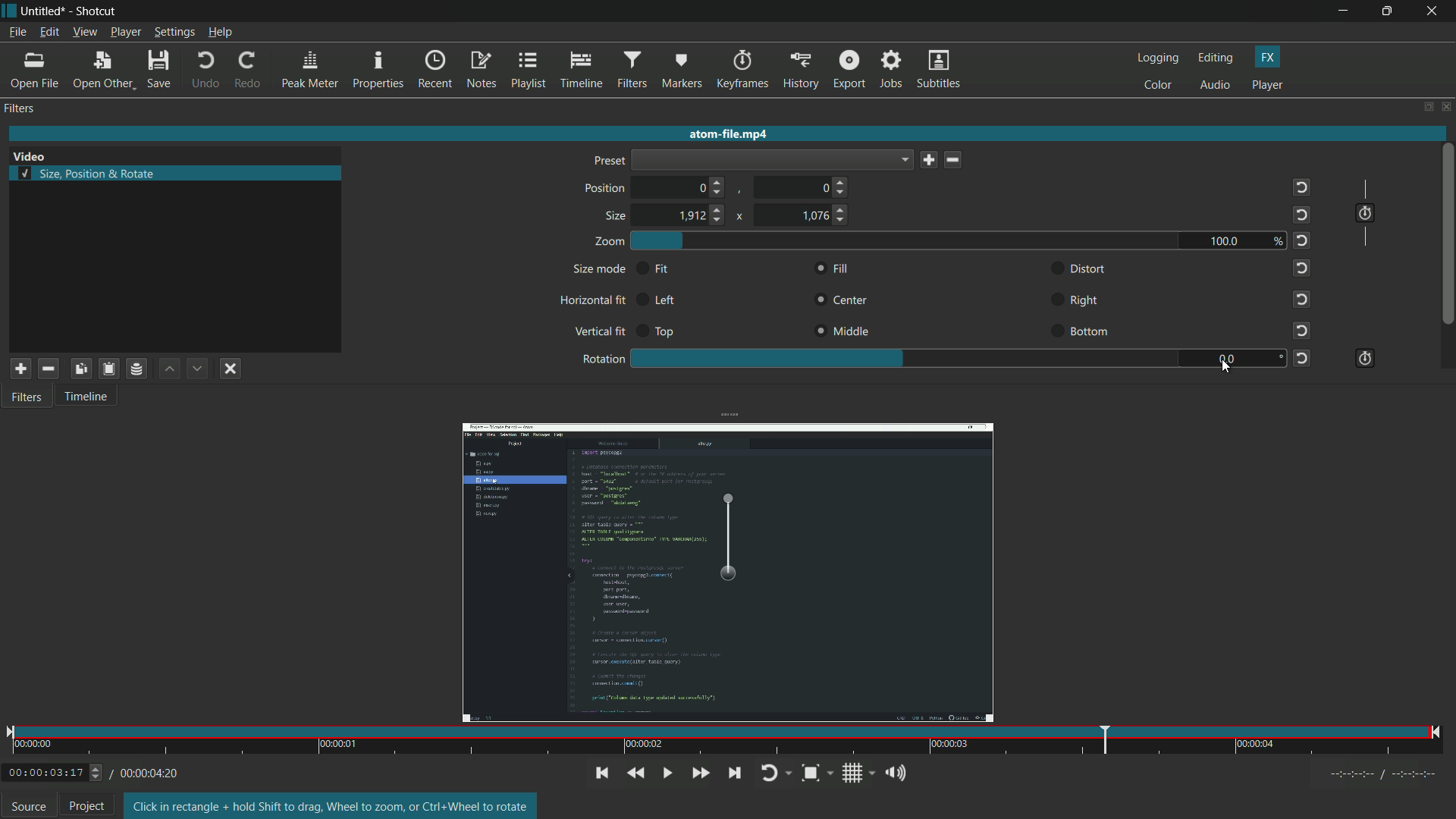 Image resolution: width=1456 pixels, height=819 pixels. What do you see at coordinates (529, 71) in the screenshot?
I see `playlist` at bounding box center [529, 71].